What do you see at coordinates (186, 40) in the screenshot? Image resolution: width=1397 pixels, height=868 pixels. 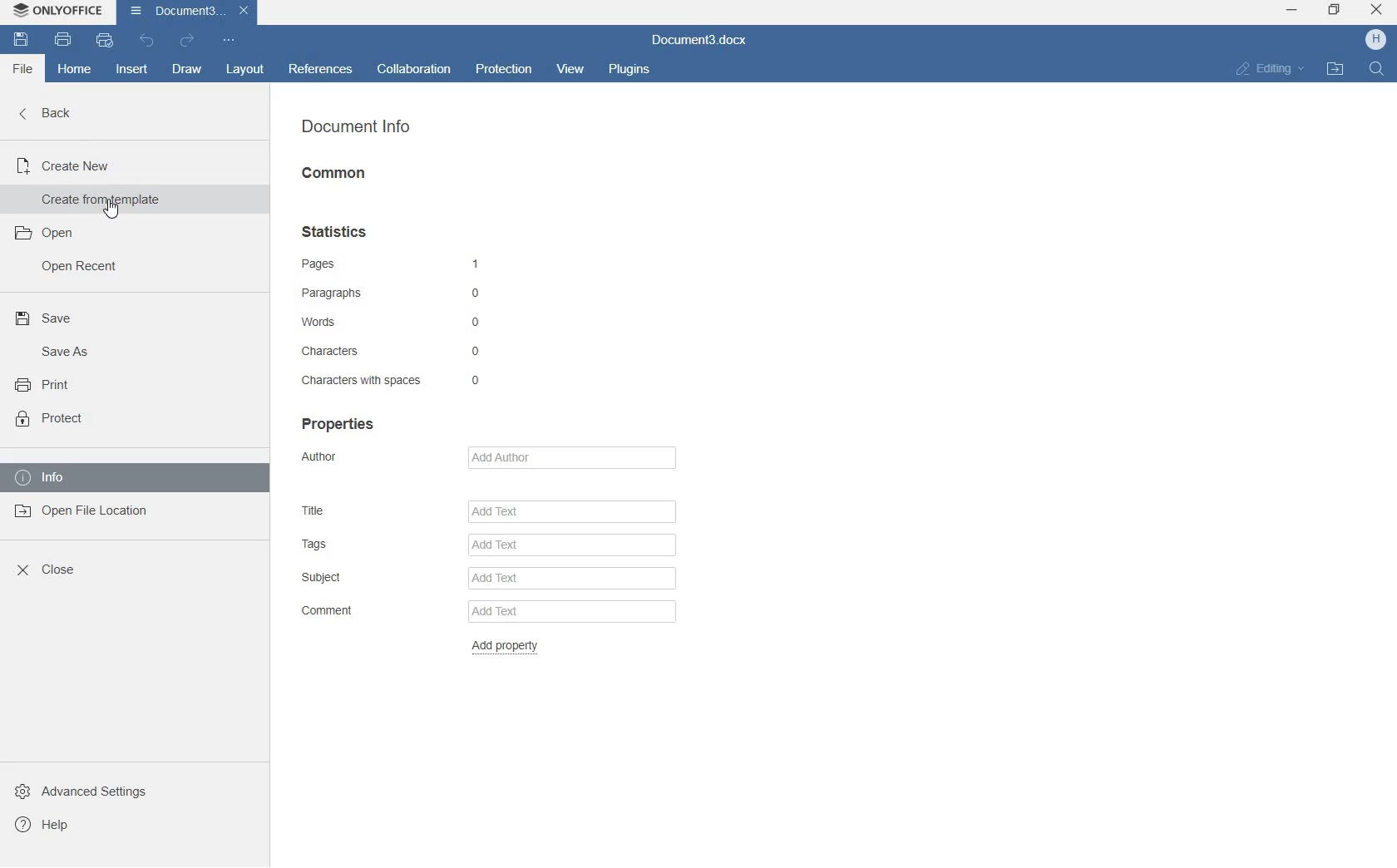 I see `redo` at bounding box center [186, 40].